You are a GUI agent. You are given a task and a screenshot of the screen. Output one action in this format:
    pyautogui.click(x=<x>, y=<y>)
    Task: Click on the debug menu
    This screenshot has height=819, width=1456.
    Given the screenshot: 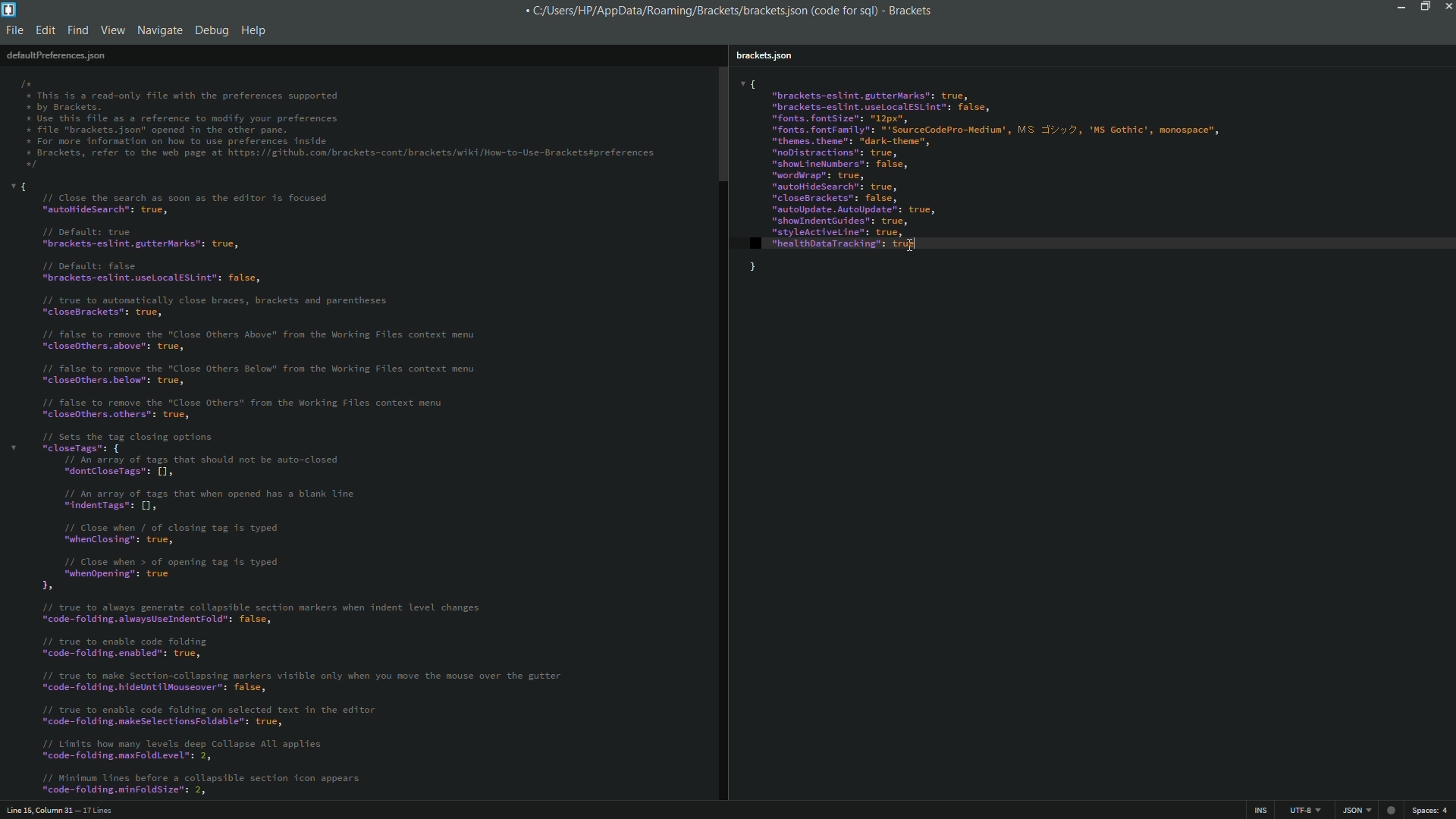 What is the action you would take?
    pyautogui.click(x=211, y=30)
    